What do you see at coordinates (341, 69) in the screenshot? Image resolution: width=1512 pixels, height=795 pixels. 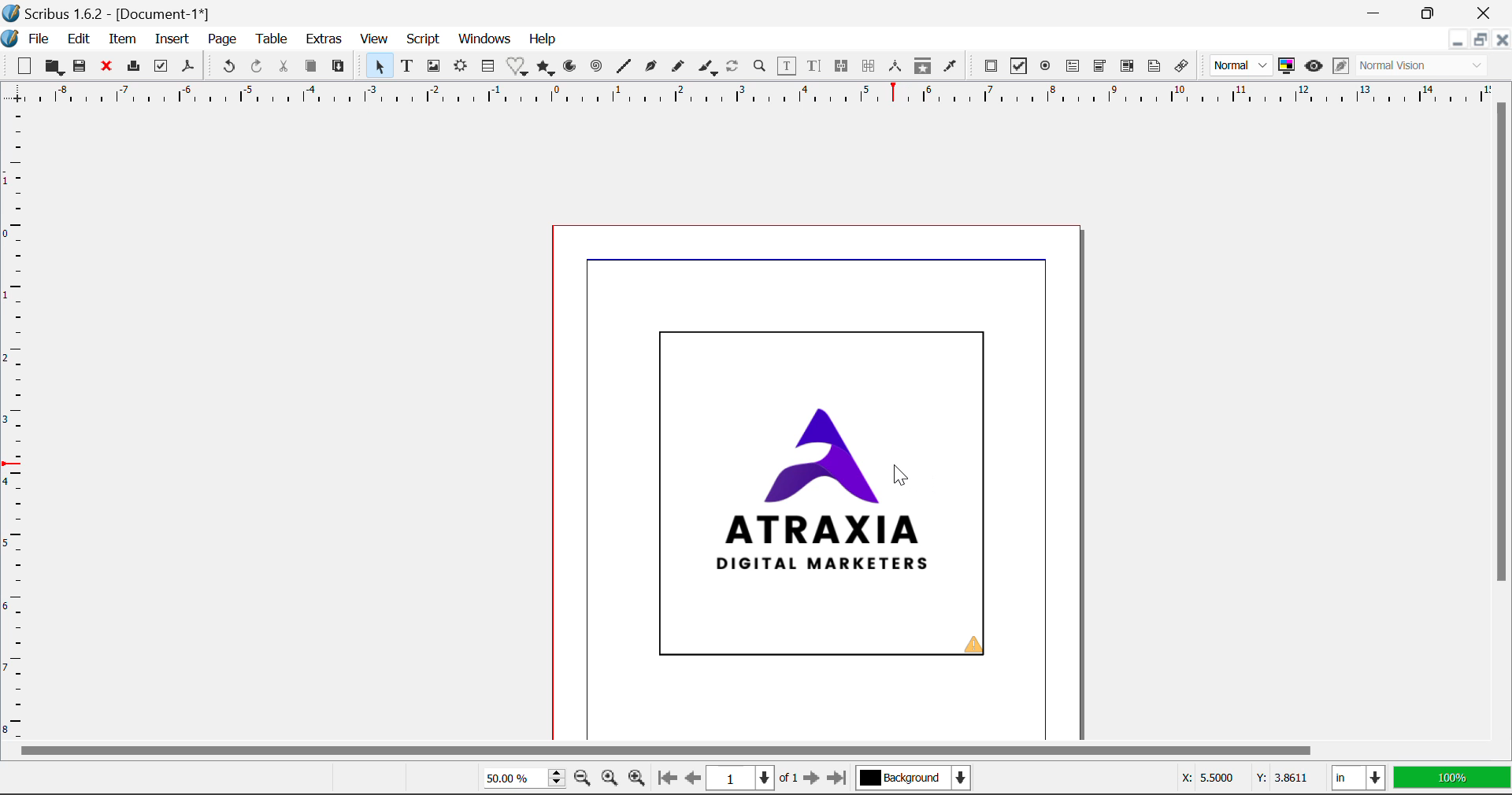 I see `Paste` at bounding box center [341, 69].